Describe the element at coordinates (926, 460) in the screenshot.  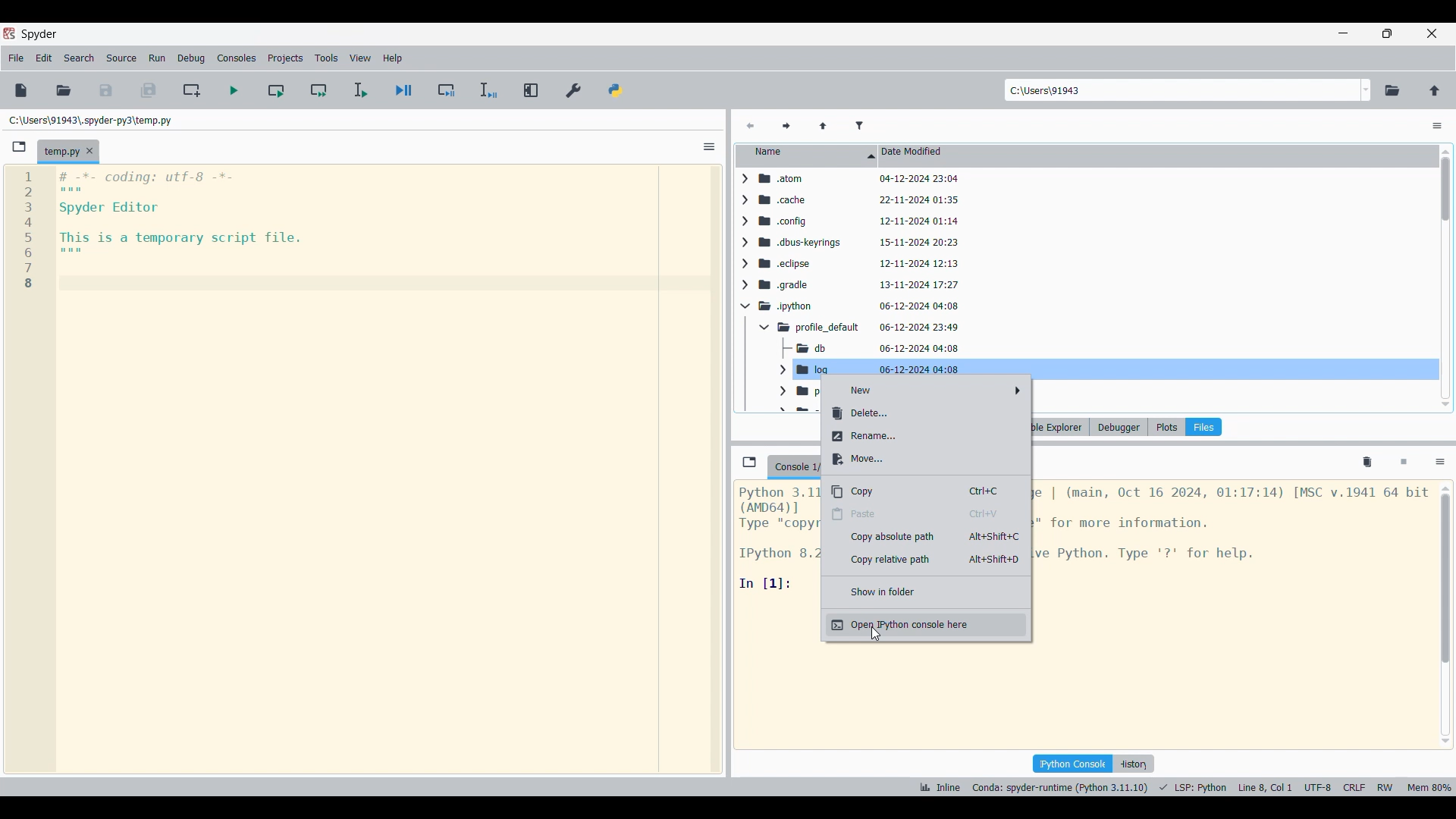
I see `Move` at that location.